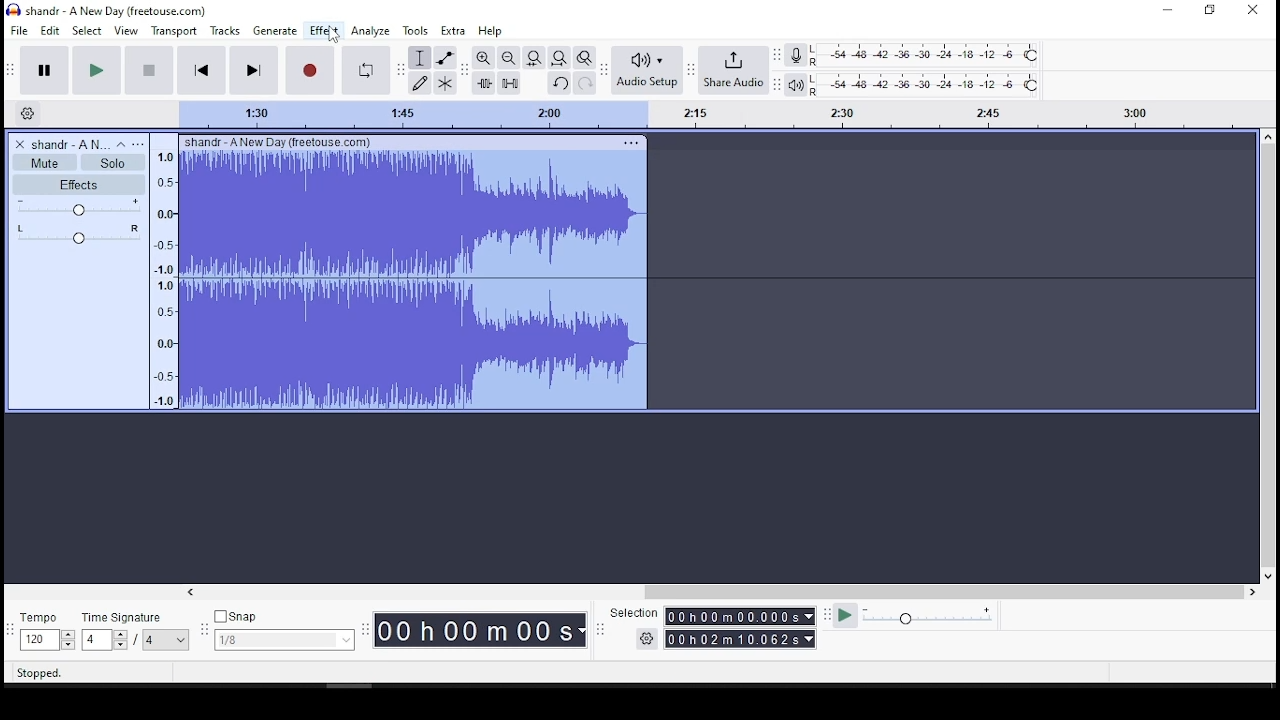 The width and height of the screenshot is (1280, 720). What do you see at coordinates (451, 31) in the screenshot?
I see `` at bounding box center [451, 31].